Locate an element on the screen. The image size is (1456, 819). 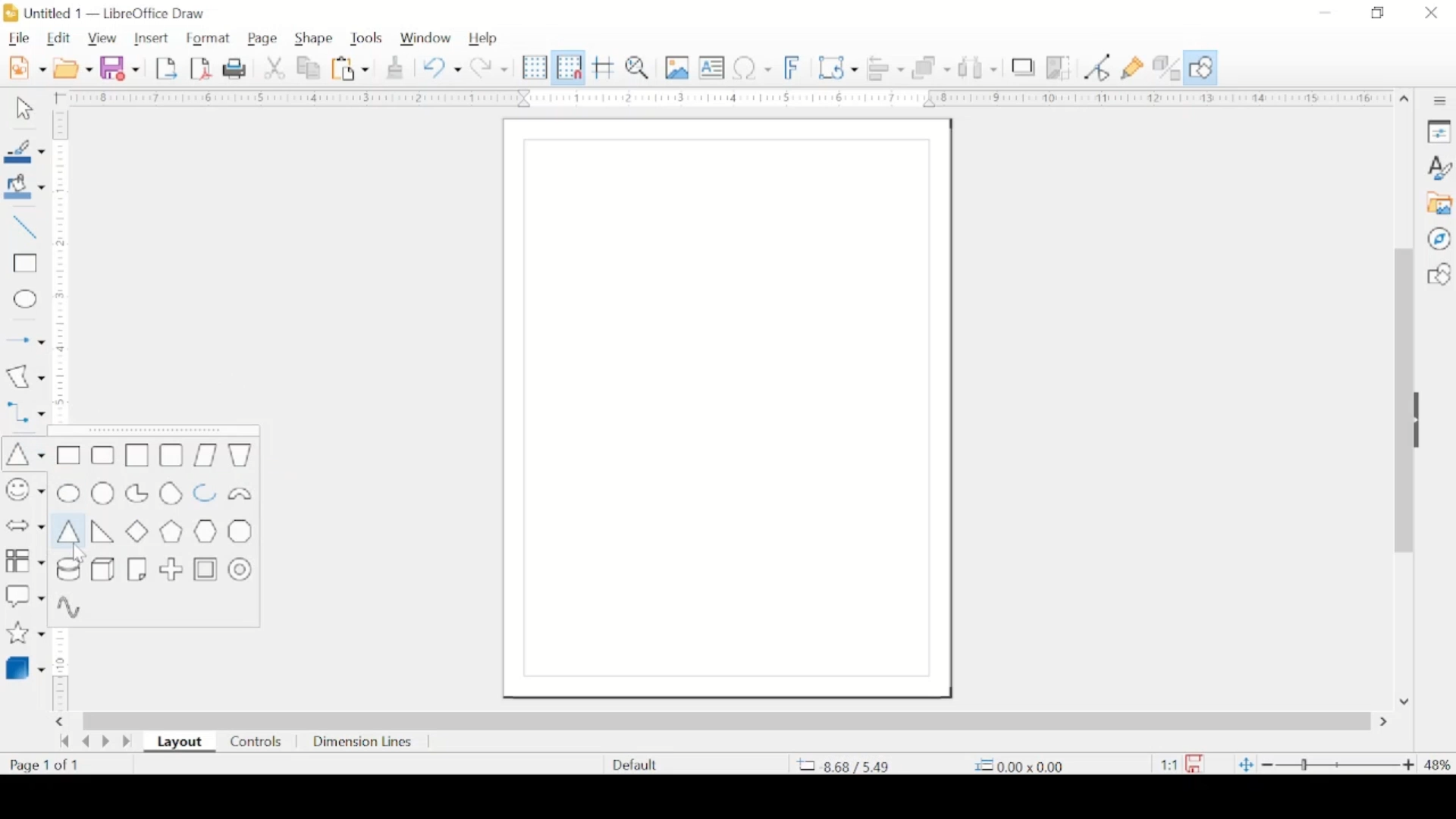
trapezoid is located at coordinates (240, 456).